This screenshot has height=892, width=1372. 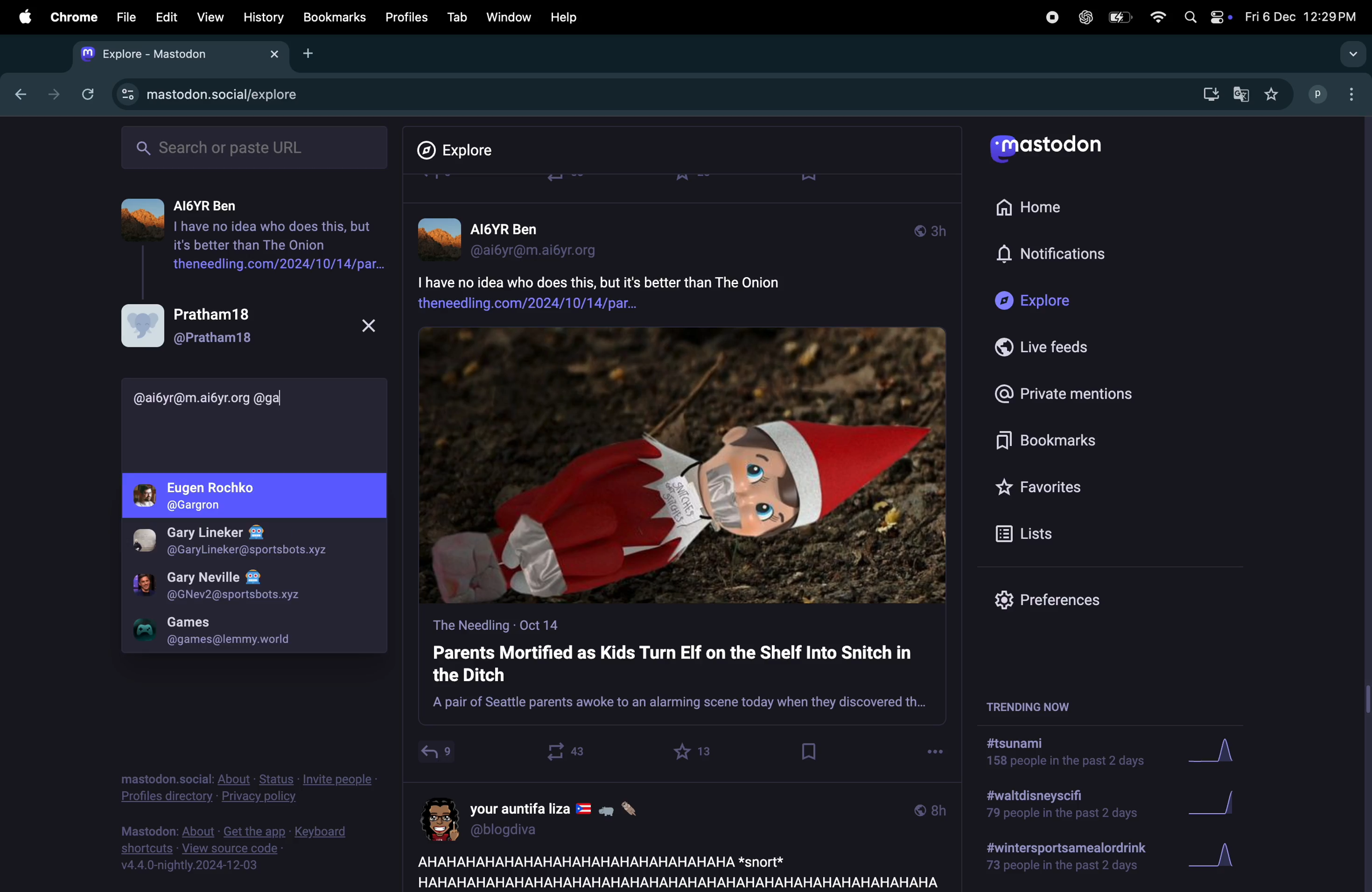 What do you see at coordinates (253, 630) in the screenshot?
I see `usrer profile` at bounding box center [253, 630].